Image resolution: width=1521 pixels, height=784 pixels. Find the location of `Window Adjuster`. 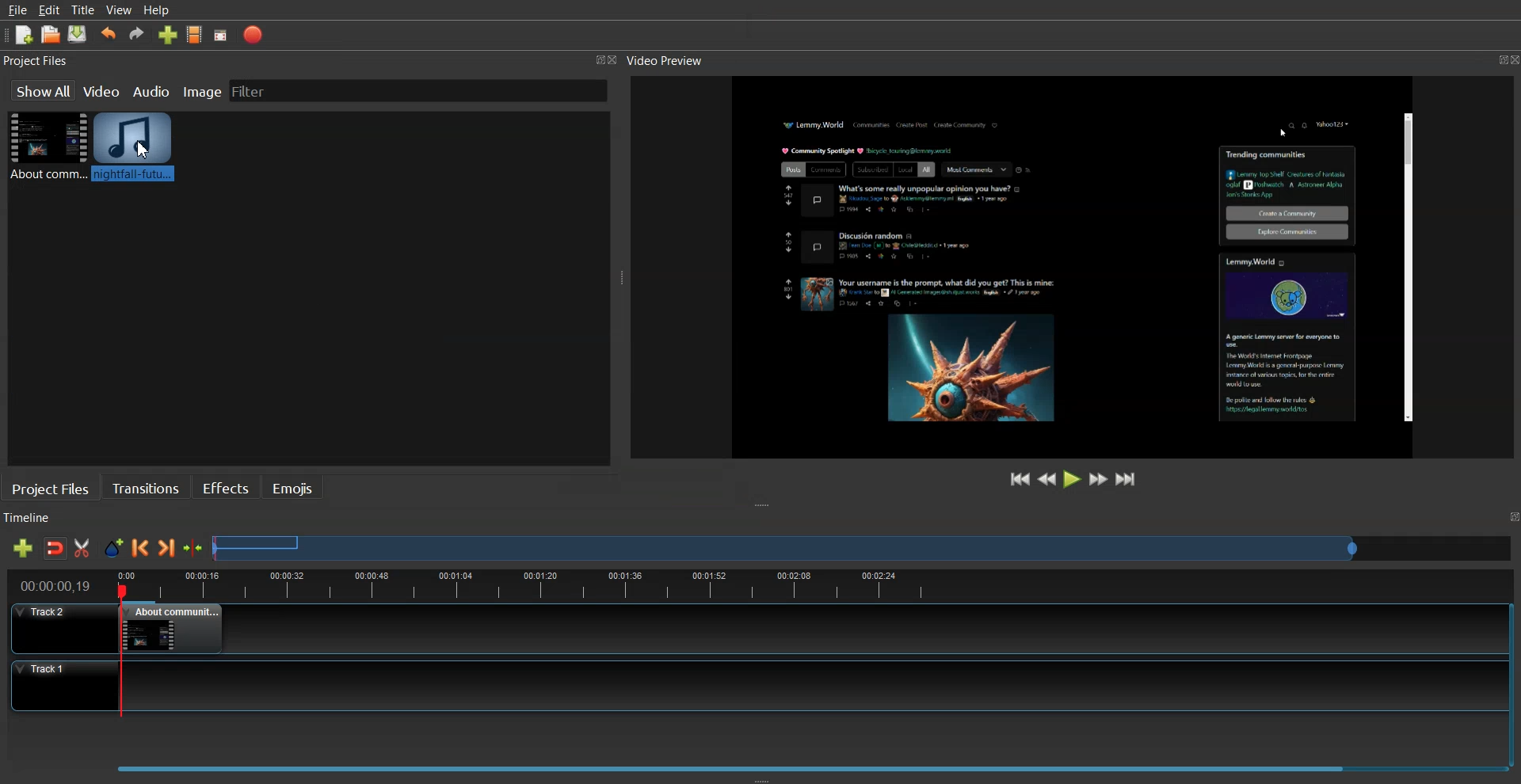

Window Adjuster is located at coordinates (622, 281).